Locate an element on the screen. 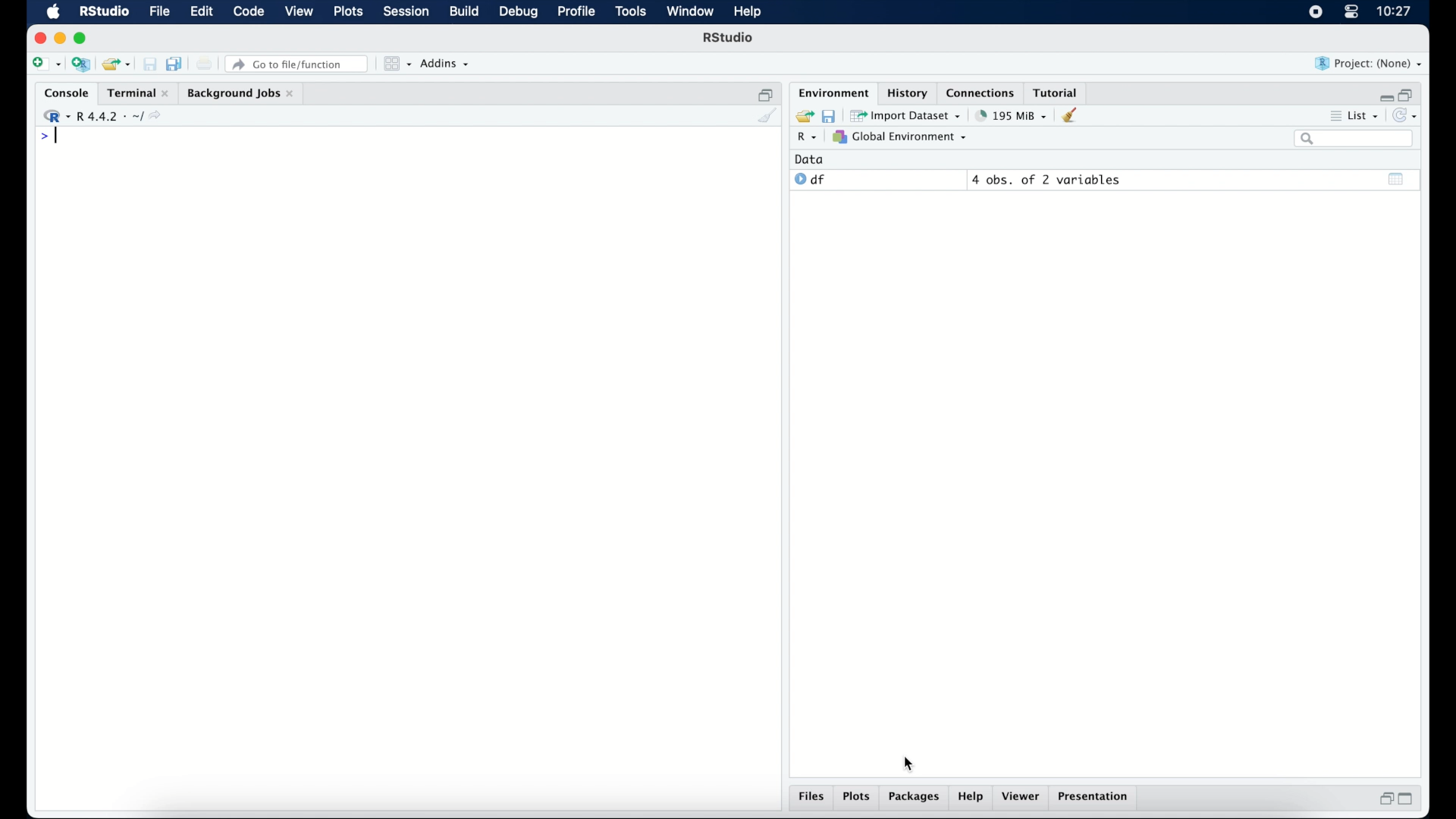 This screenshot has width=1456, height=819. import dataset is located at coordinates (907, 115).